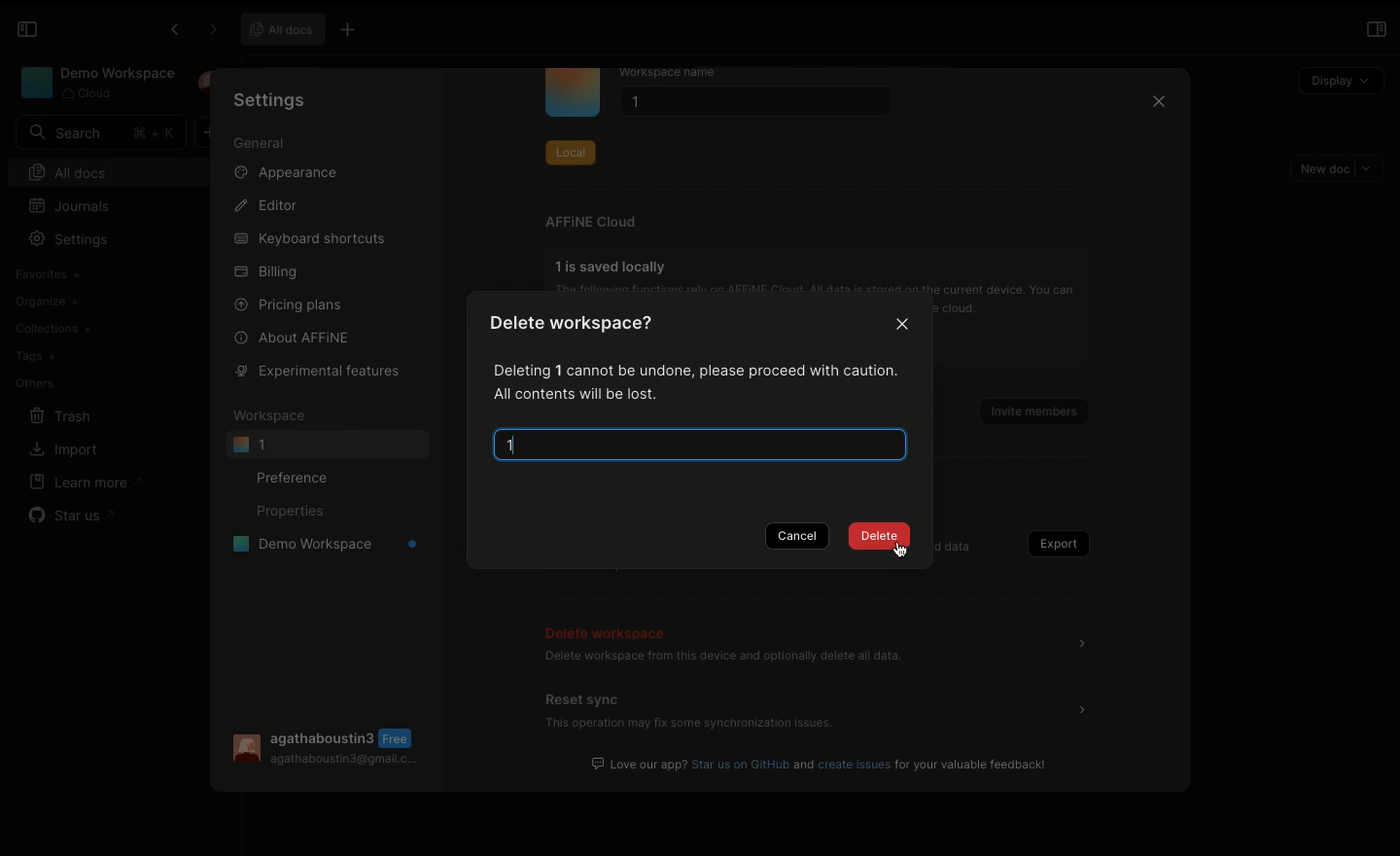  What do you see at coordinates (904, 326) in the screenshot?
I see `Close` at bounding box center [904, 326].